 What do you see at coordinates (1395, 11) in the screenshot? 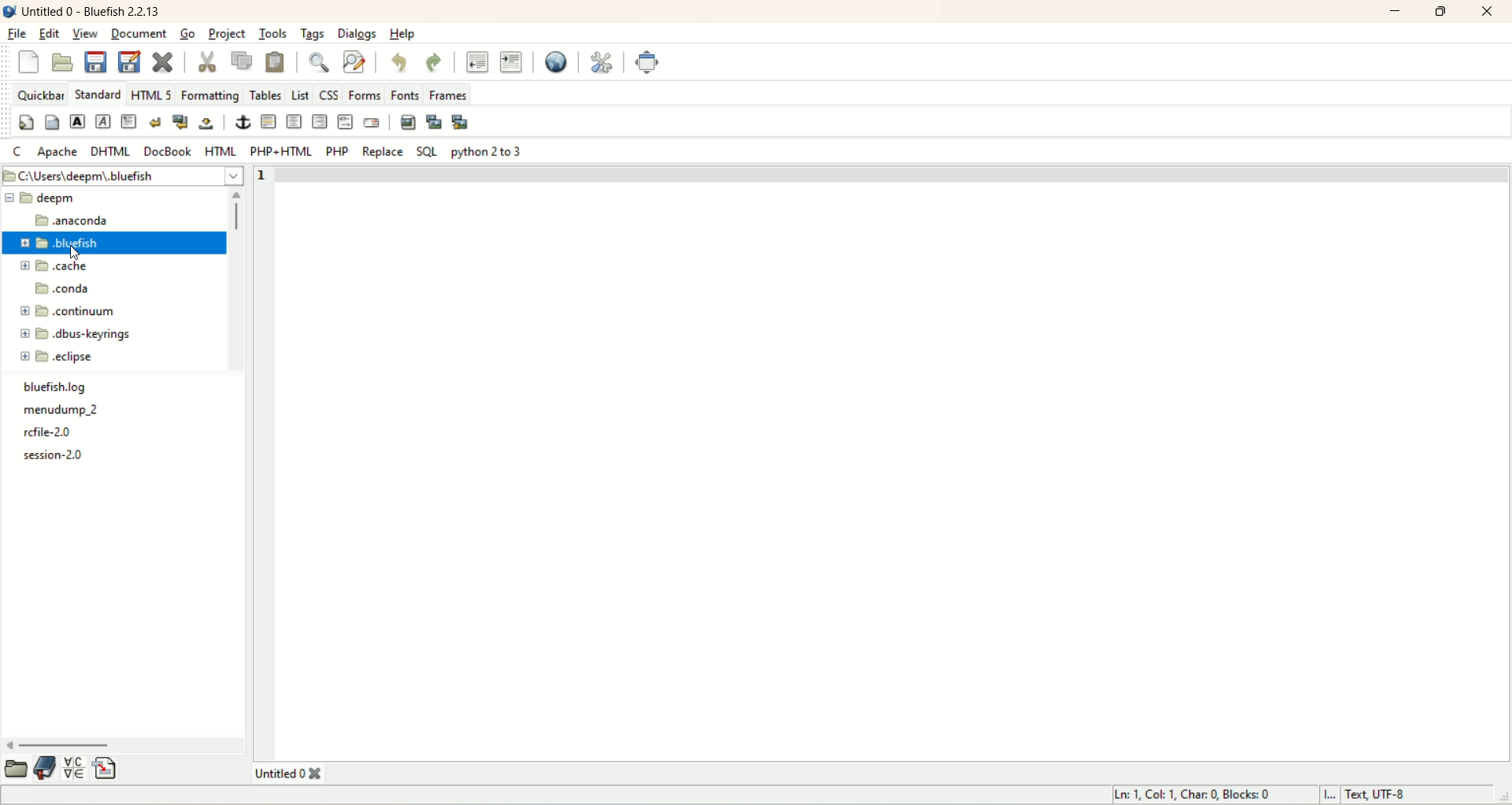
I see `minimize` at bounding box center [1395, 11].